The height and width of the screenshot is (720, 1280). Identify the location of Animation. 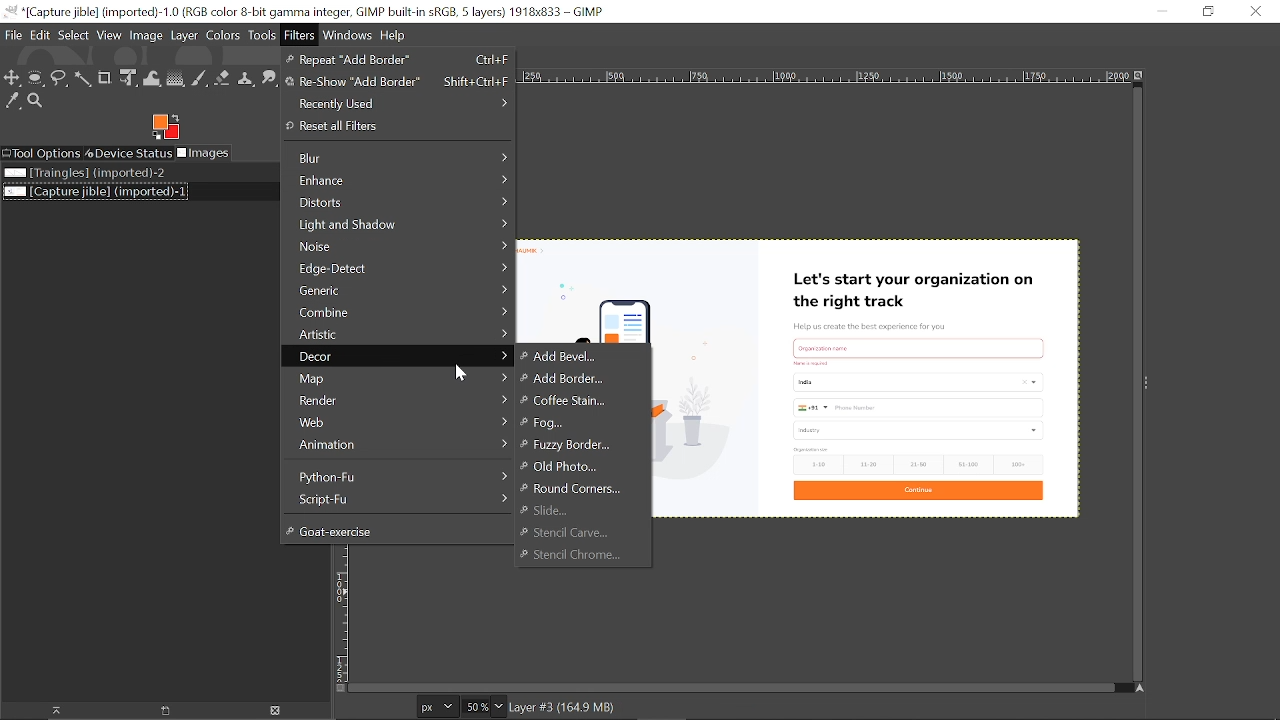
(397, 445).